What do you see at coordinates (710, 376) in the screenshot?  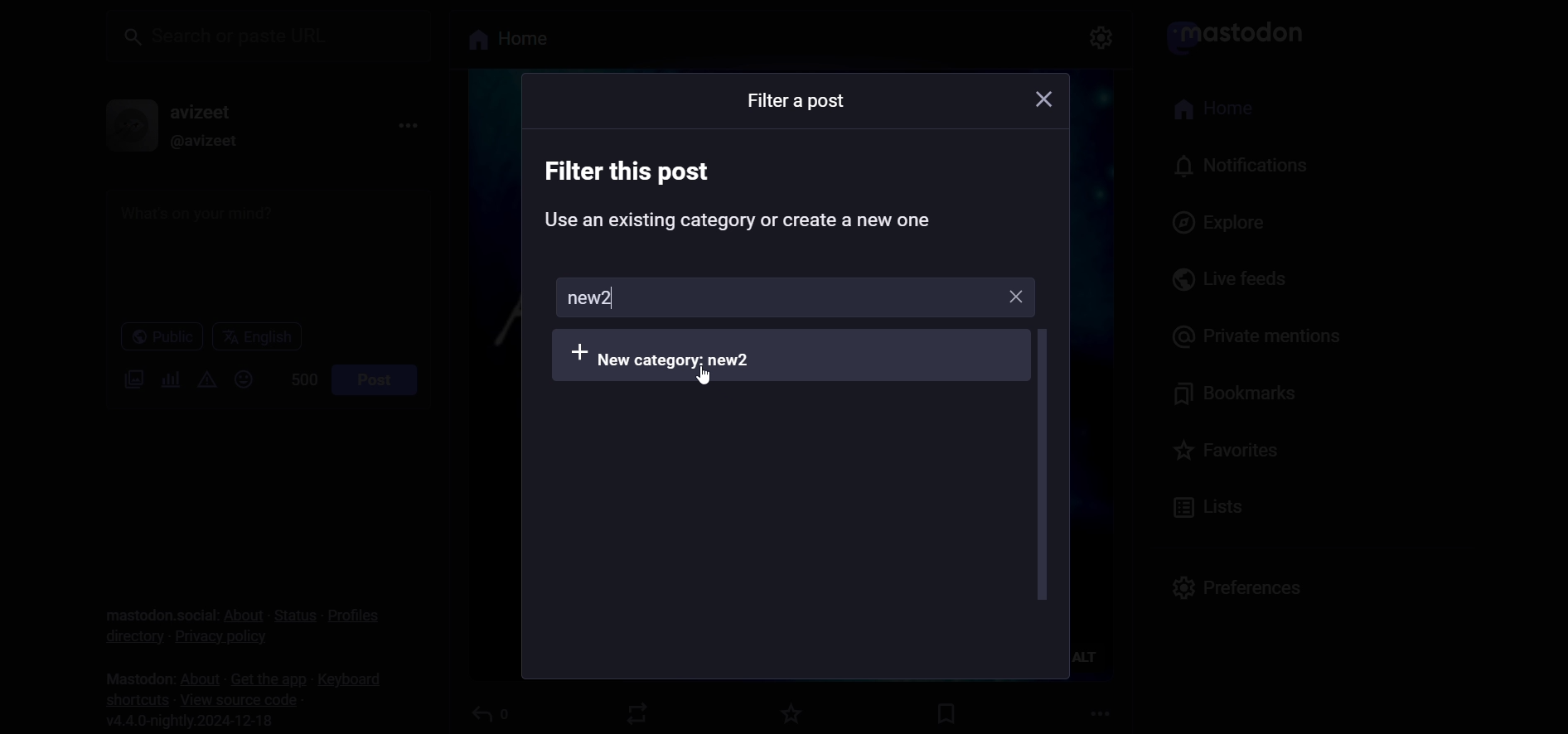 I see `Cursor` at bounding box center [710, 376].